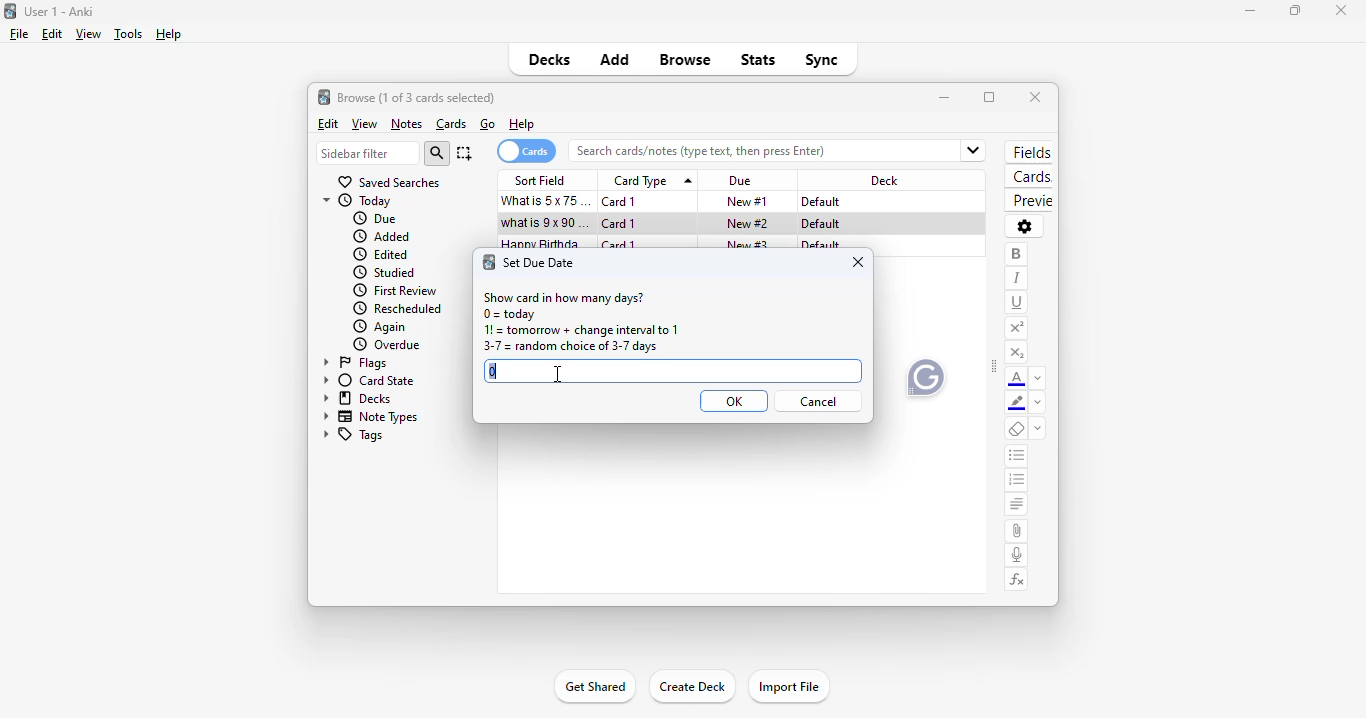 The width and height of the screenshot is (1366, 718). Describe the element at coordinates (548, 200) in the screenshot. I see `what is 5x75=?` at that location.